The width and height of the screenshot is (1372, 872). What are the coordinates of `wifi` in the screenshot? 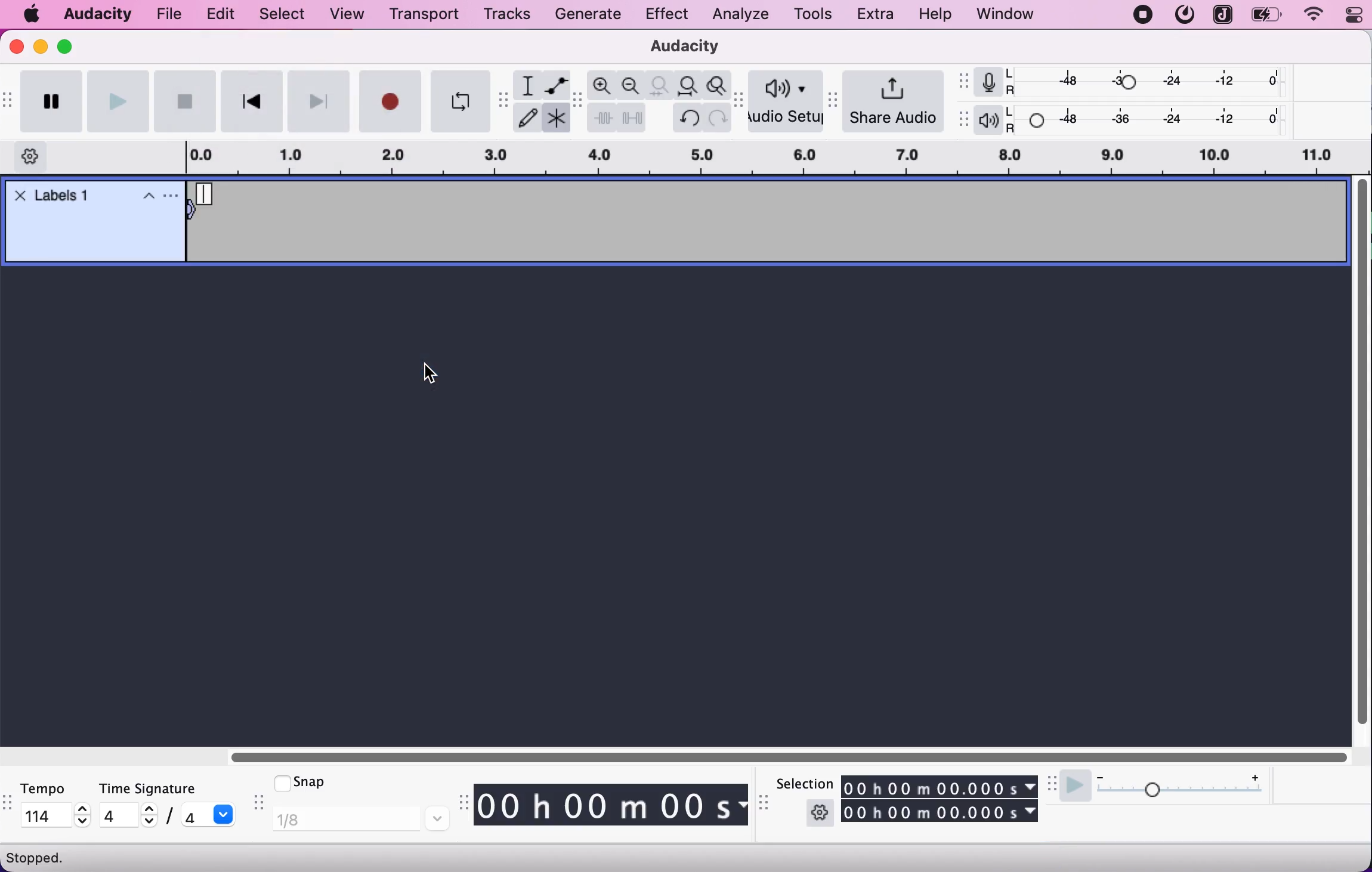 It's located at (1312, 15).